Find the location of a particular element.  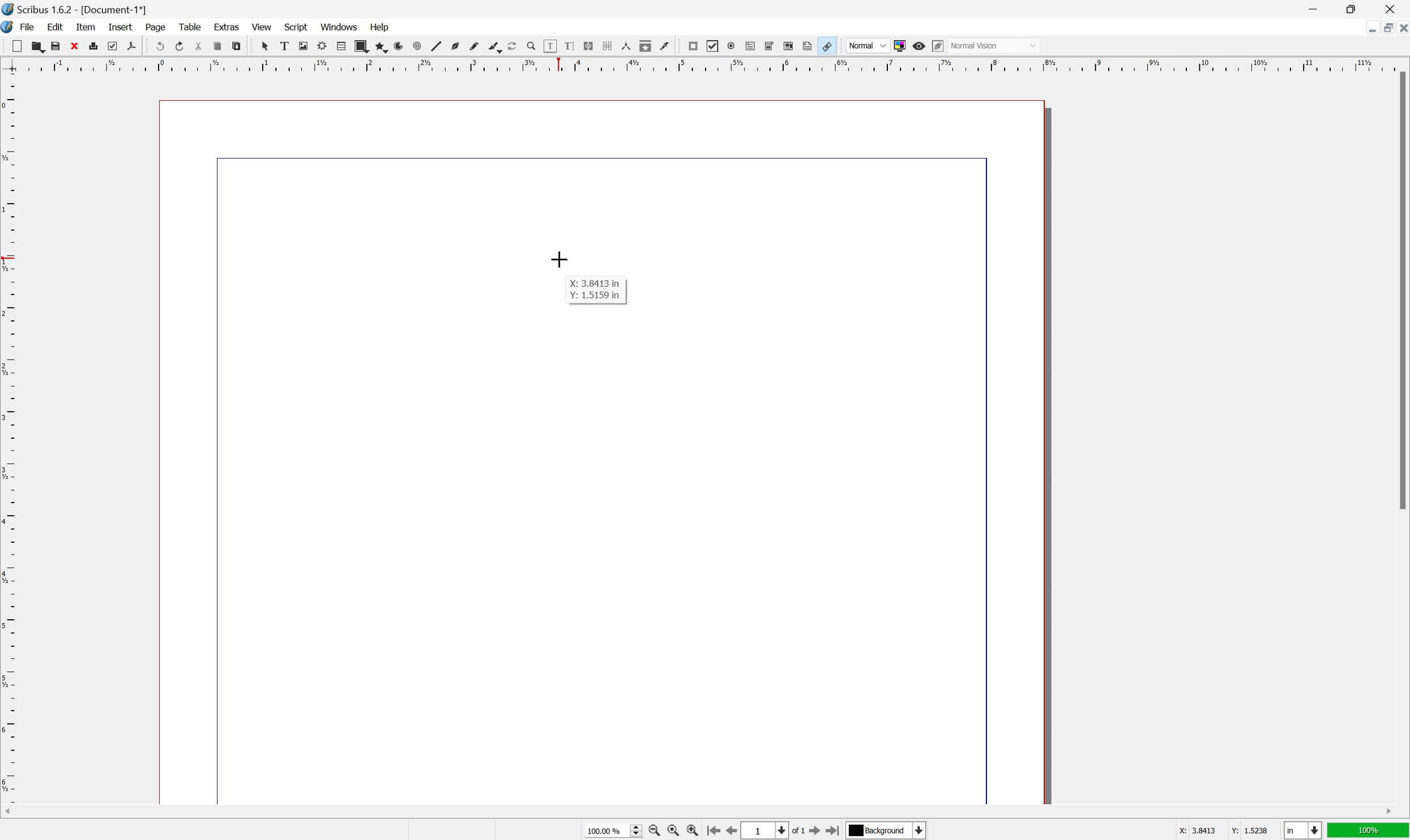

render frame is located at coordinates (323, 46).